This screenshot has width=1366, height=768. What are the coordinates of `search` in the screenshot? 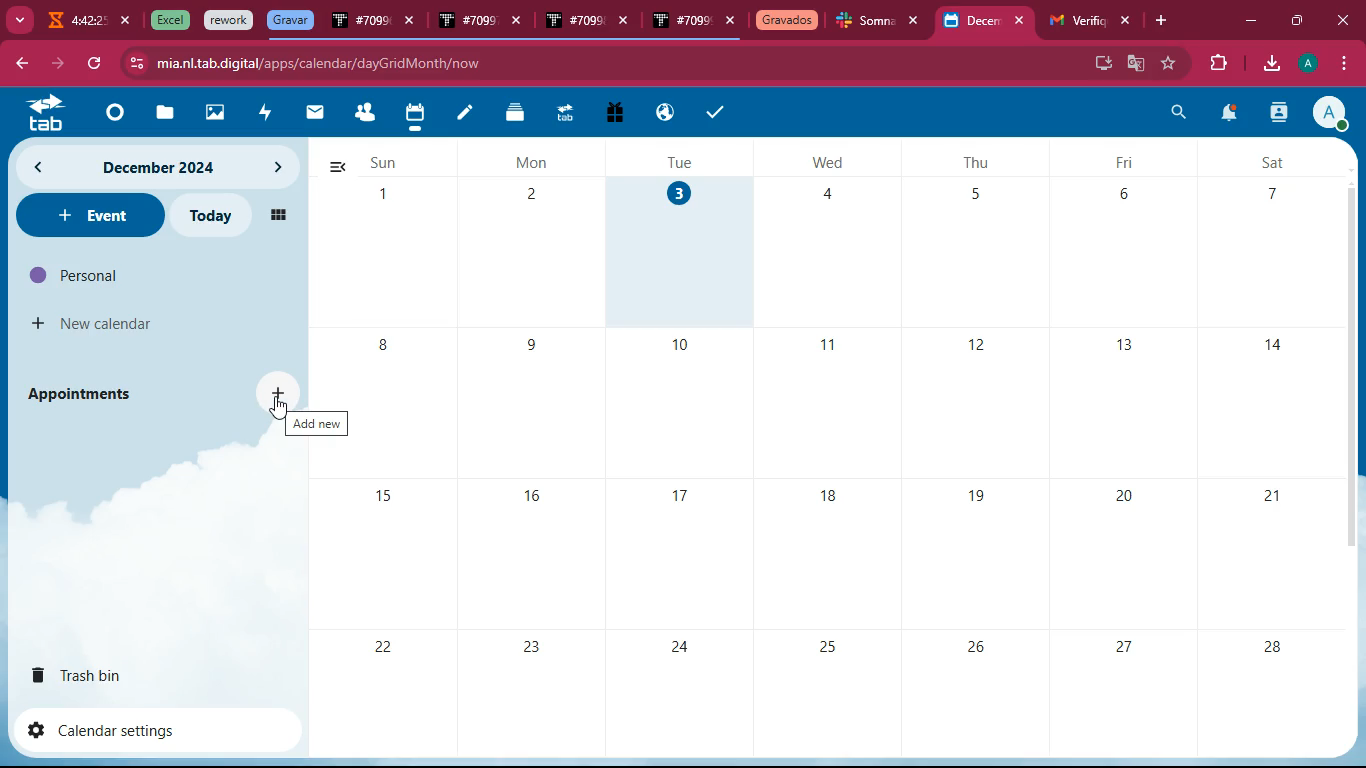 It's located at (1179, 115).